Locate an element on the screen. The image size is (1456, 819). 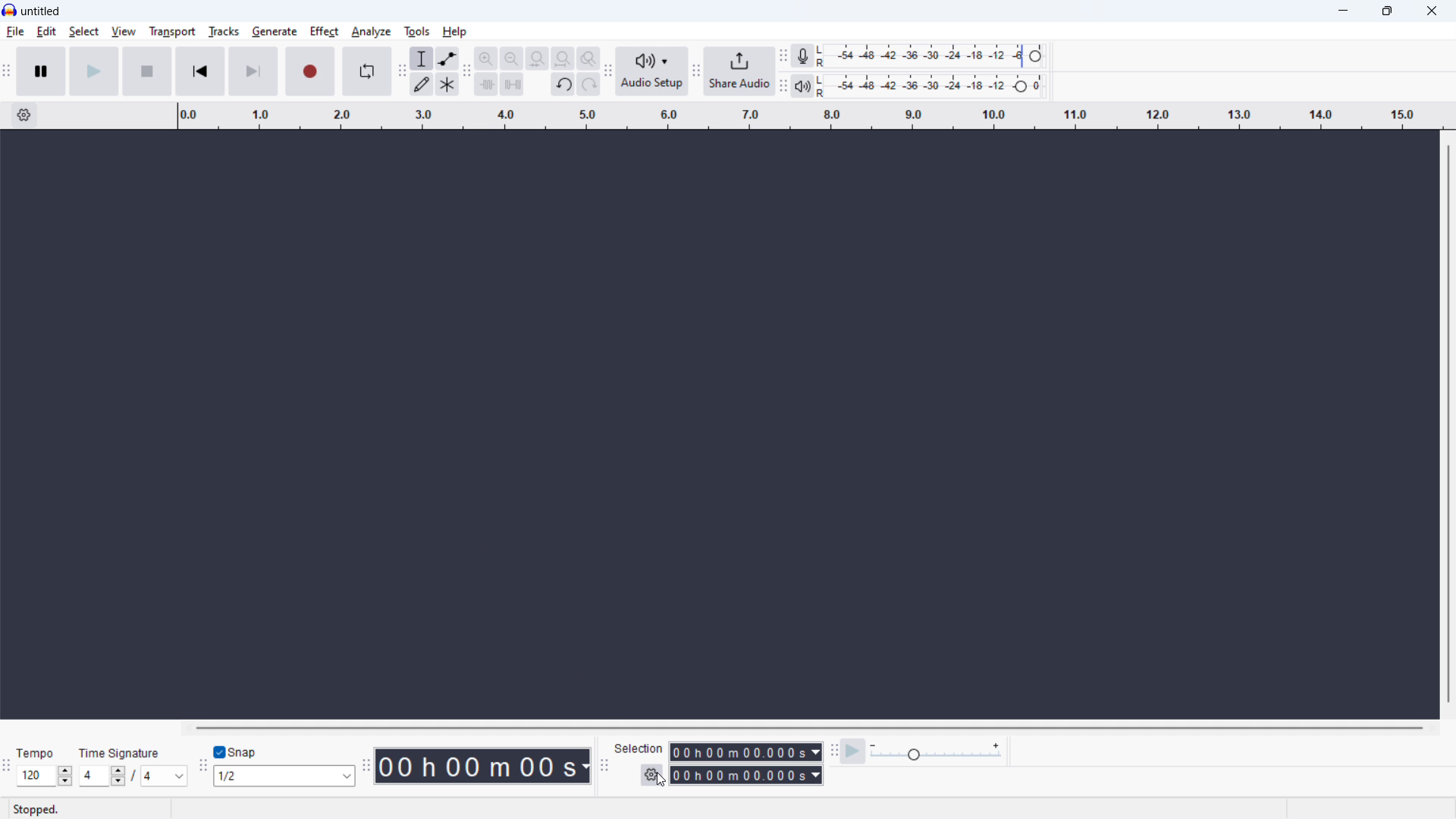
cursor is located at coordinates (658, 780).